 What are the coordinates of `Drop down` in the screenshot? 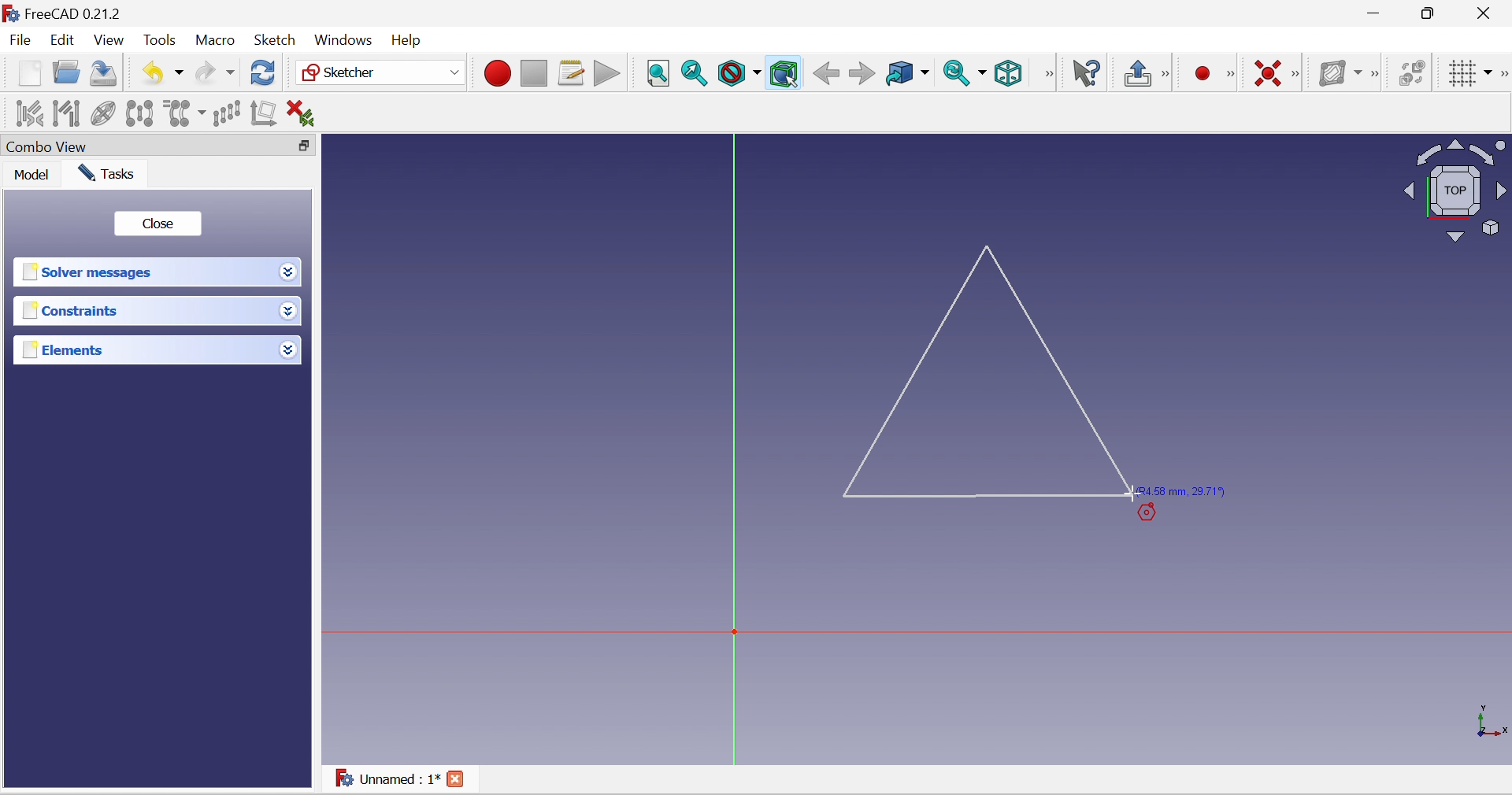 It's located at (288, 272).